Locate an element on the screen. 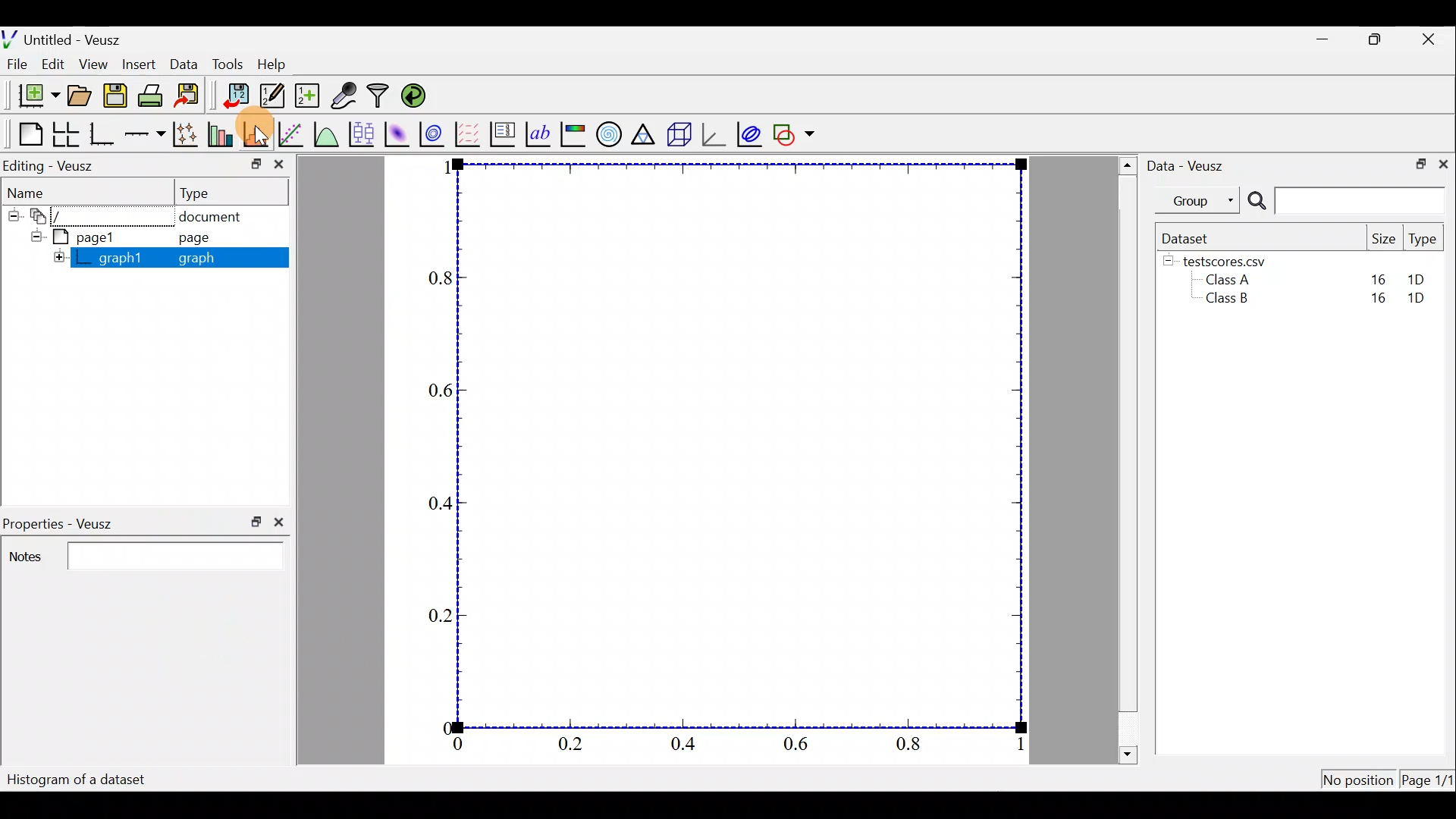  0.2 is located at coordinates (573, 747).